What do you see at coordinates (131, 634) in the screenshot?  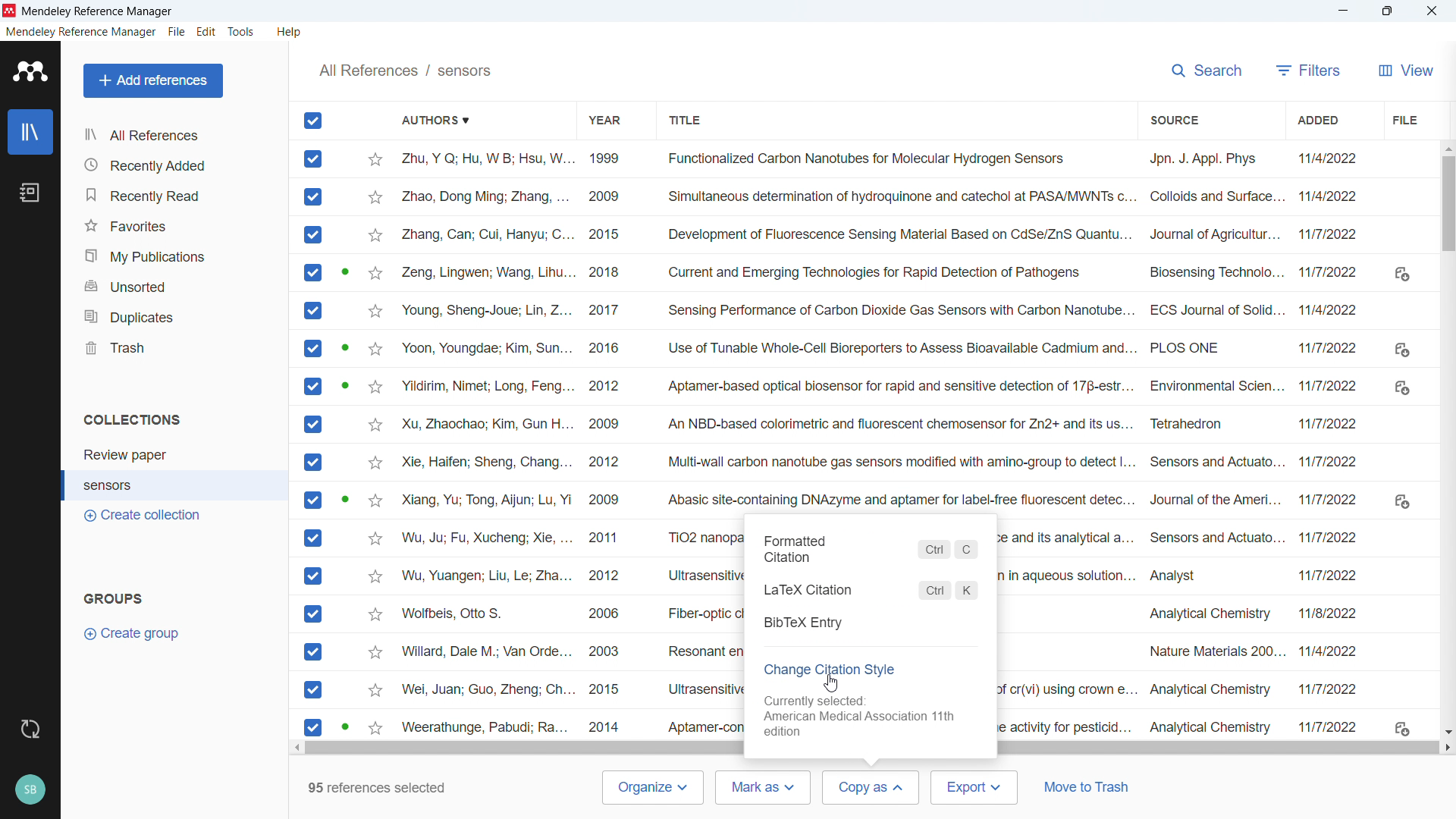 I see `create group` at bounding box center [131, 634].